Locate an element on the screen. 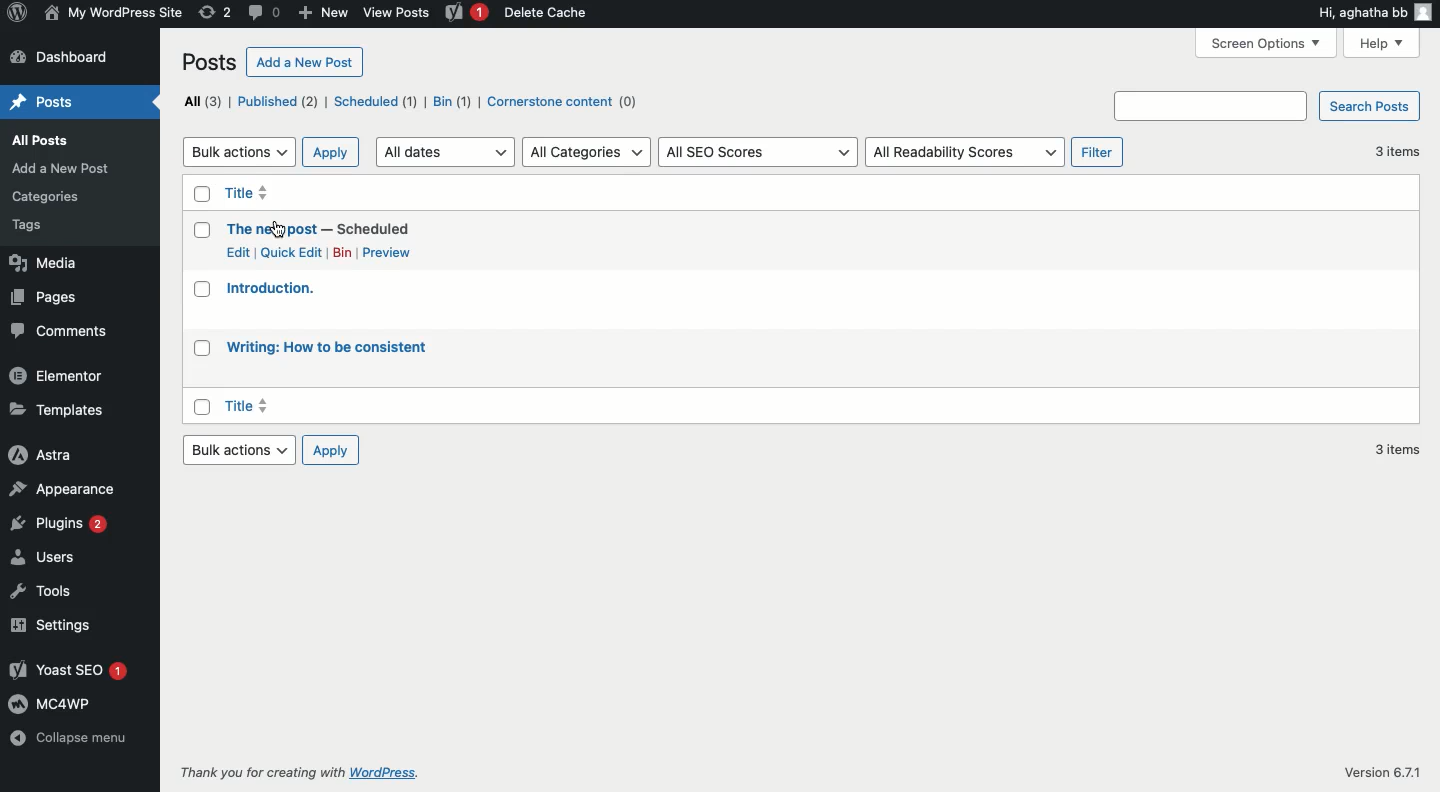 This screenshot has width=1440, height=792. Settings is located at coordinates (54, 625).